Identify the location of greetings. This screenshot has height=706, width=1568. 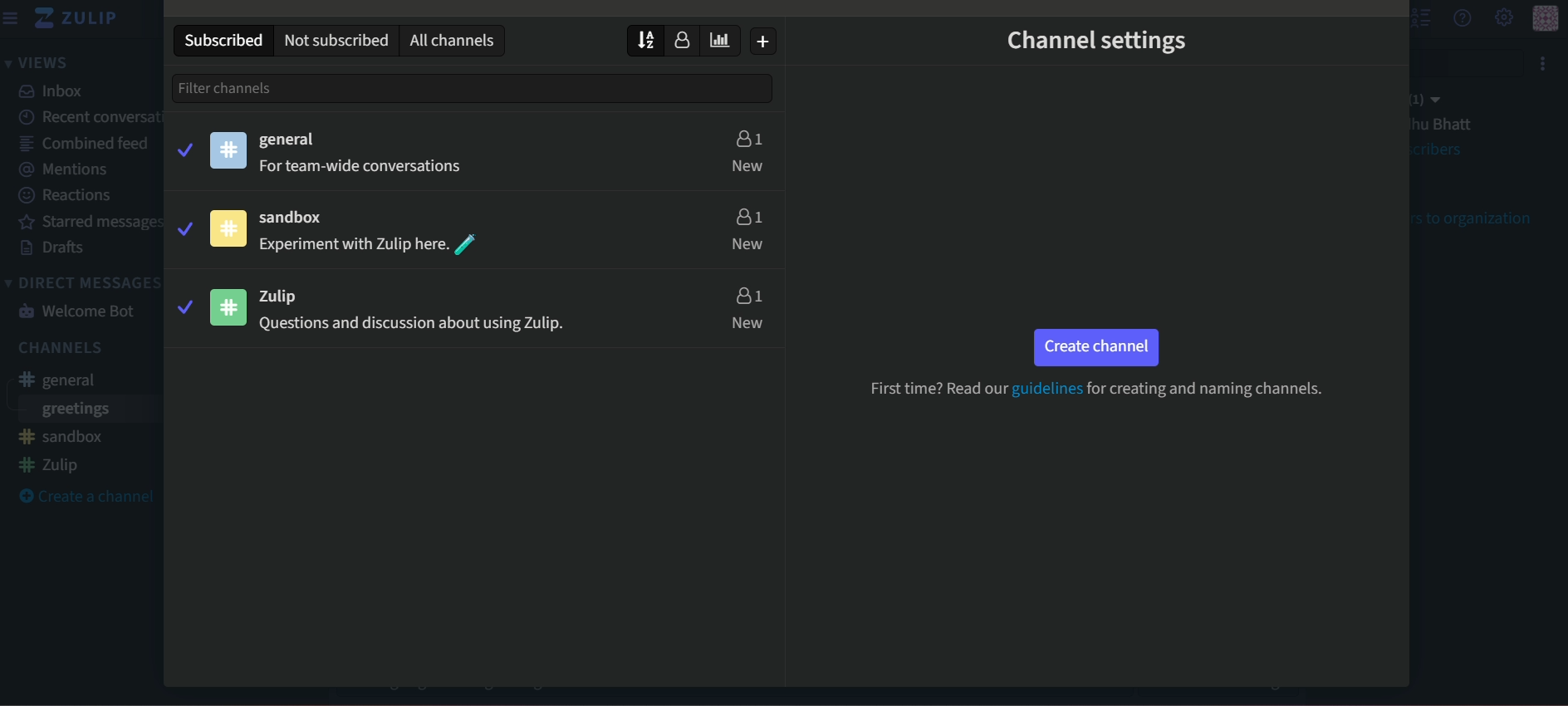
(73, 410).